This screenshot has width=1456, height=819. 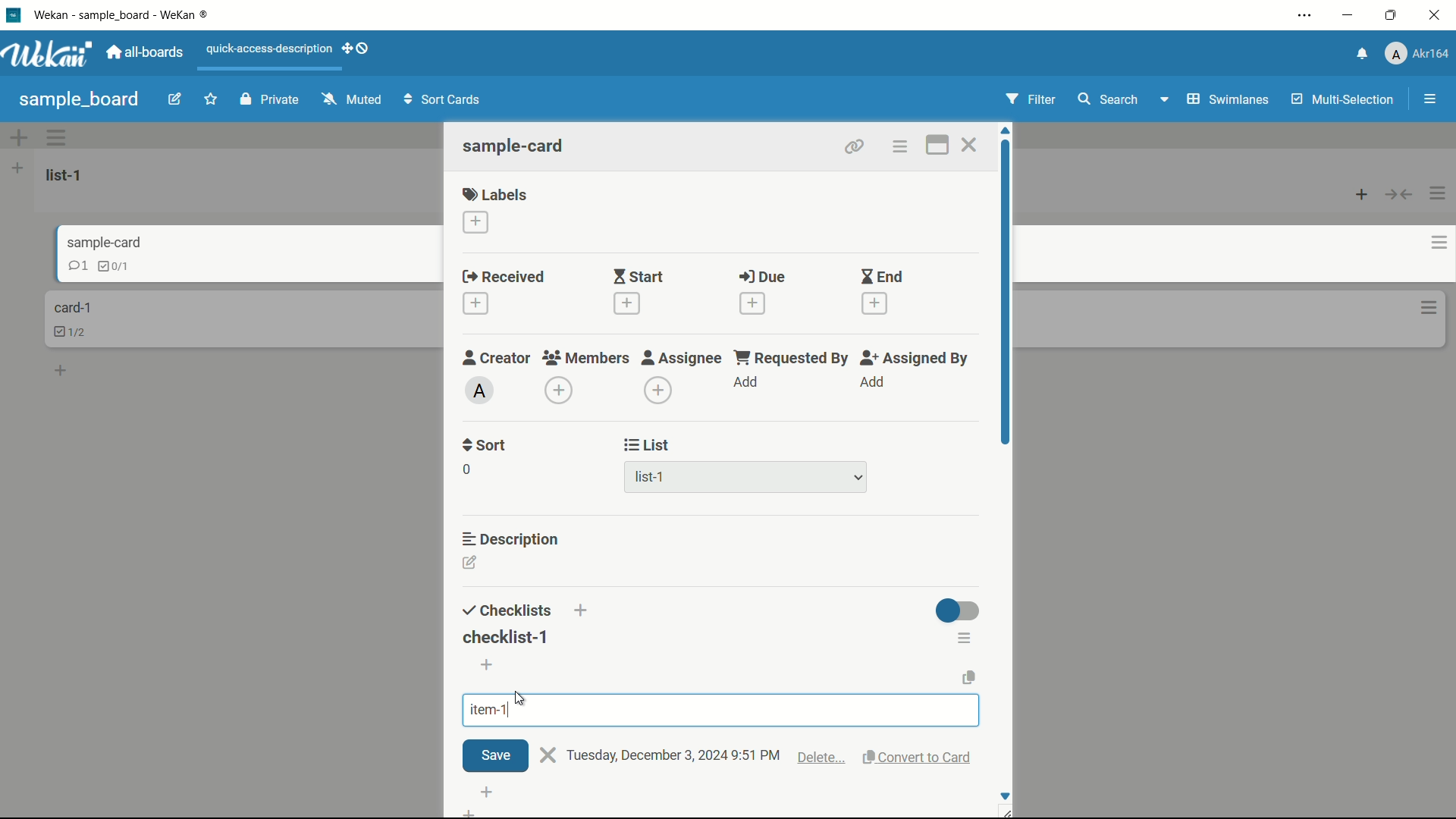 I want to click on private, so click(x=272, y=99).